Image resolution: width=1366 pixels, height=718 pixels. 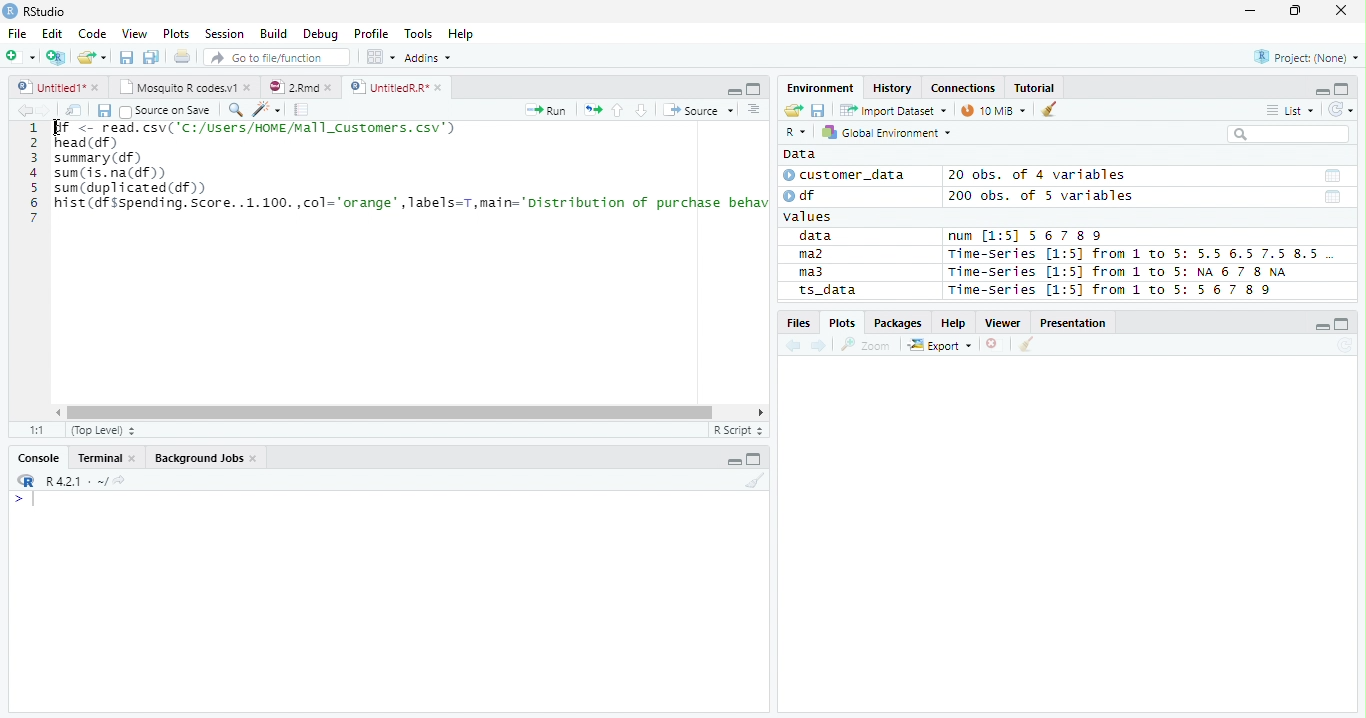 What do you see at coordinates (266, 110) in the screenshot?
I see `Code Tools` at bounding box center [266, 110].